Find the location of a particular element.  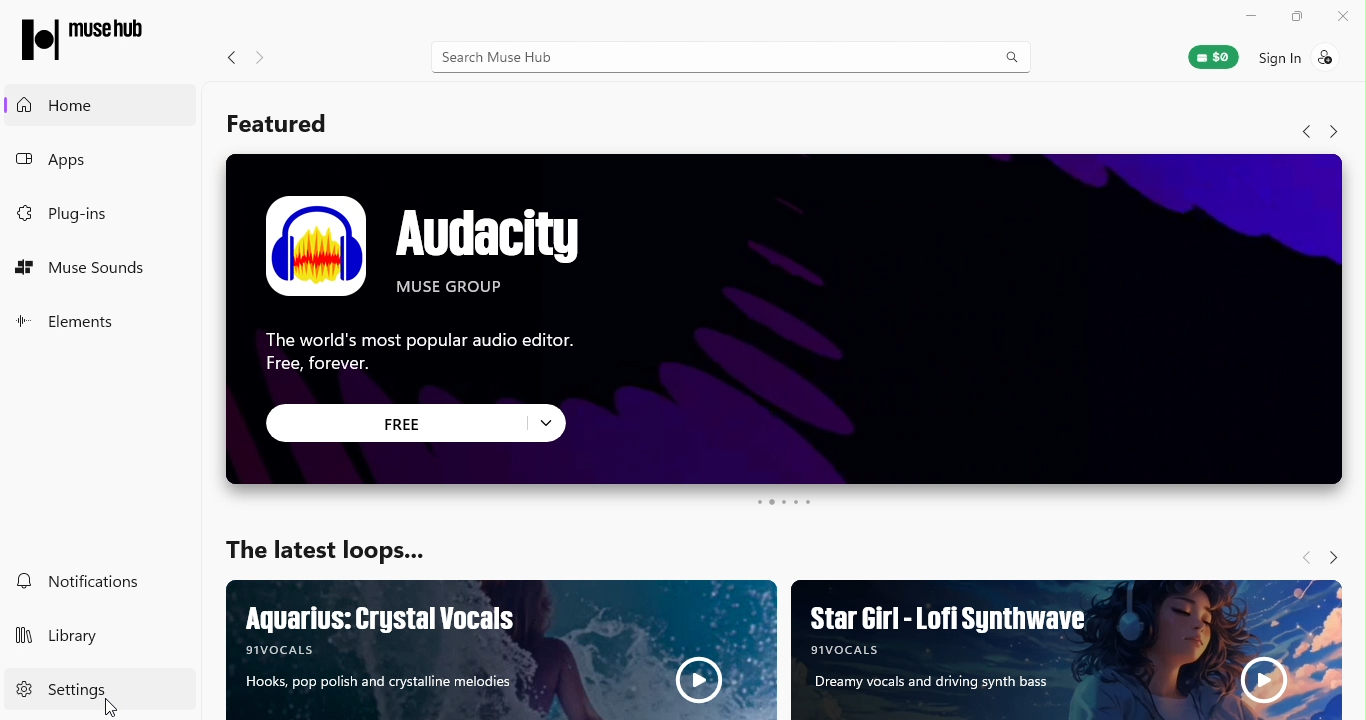

Muse sounds is located at coordinates (88, 272).